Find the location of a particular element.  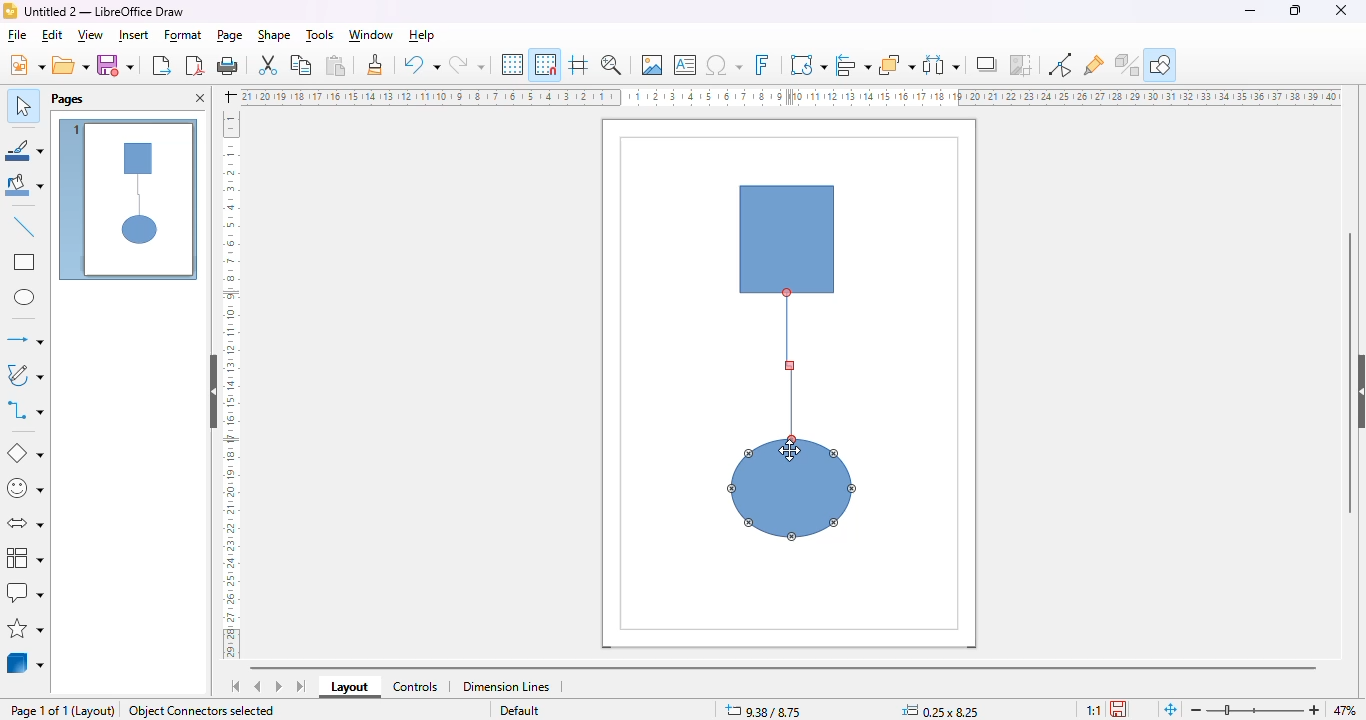

object connectors selected is located at coordinates (202, 711).